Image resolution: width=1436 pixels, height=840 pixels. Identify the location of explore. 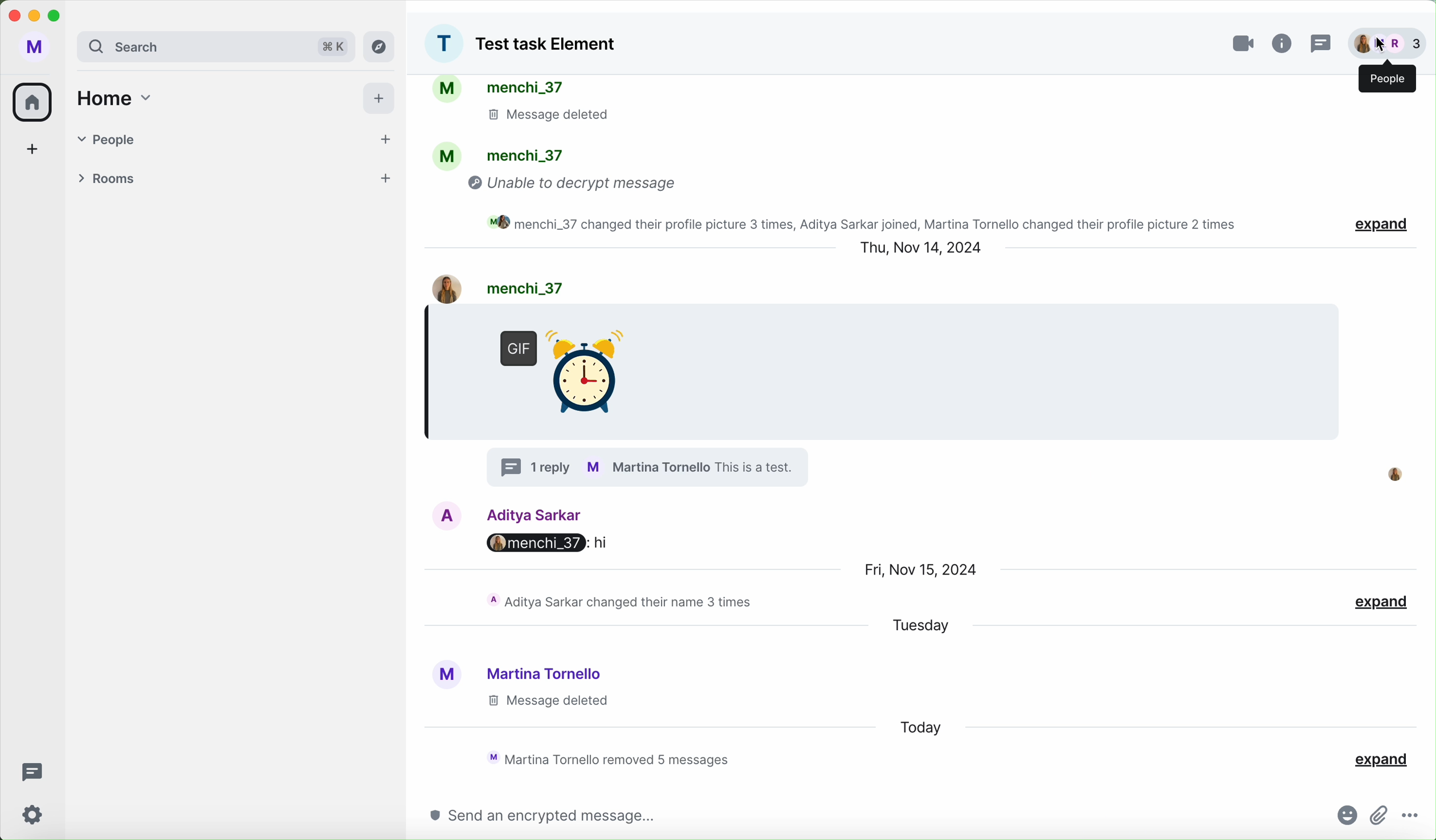
(380, 46).